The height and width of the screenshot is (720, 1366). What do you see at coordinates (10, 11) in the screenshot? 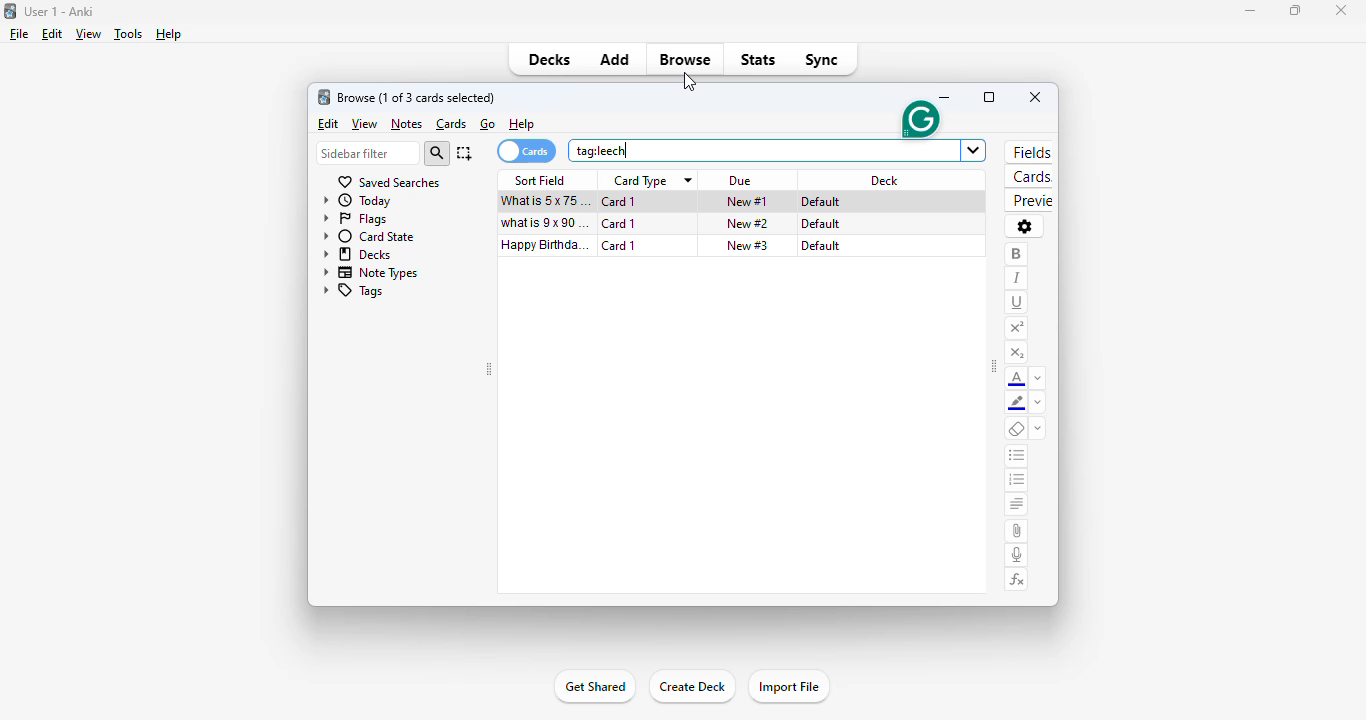
I see `logo` at bounding box center [10, 11].